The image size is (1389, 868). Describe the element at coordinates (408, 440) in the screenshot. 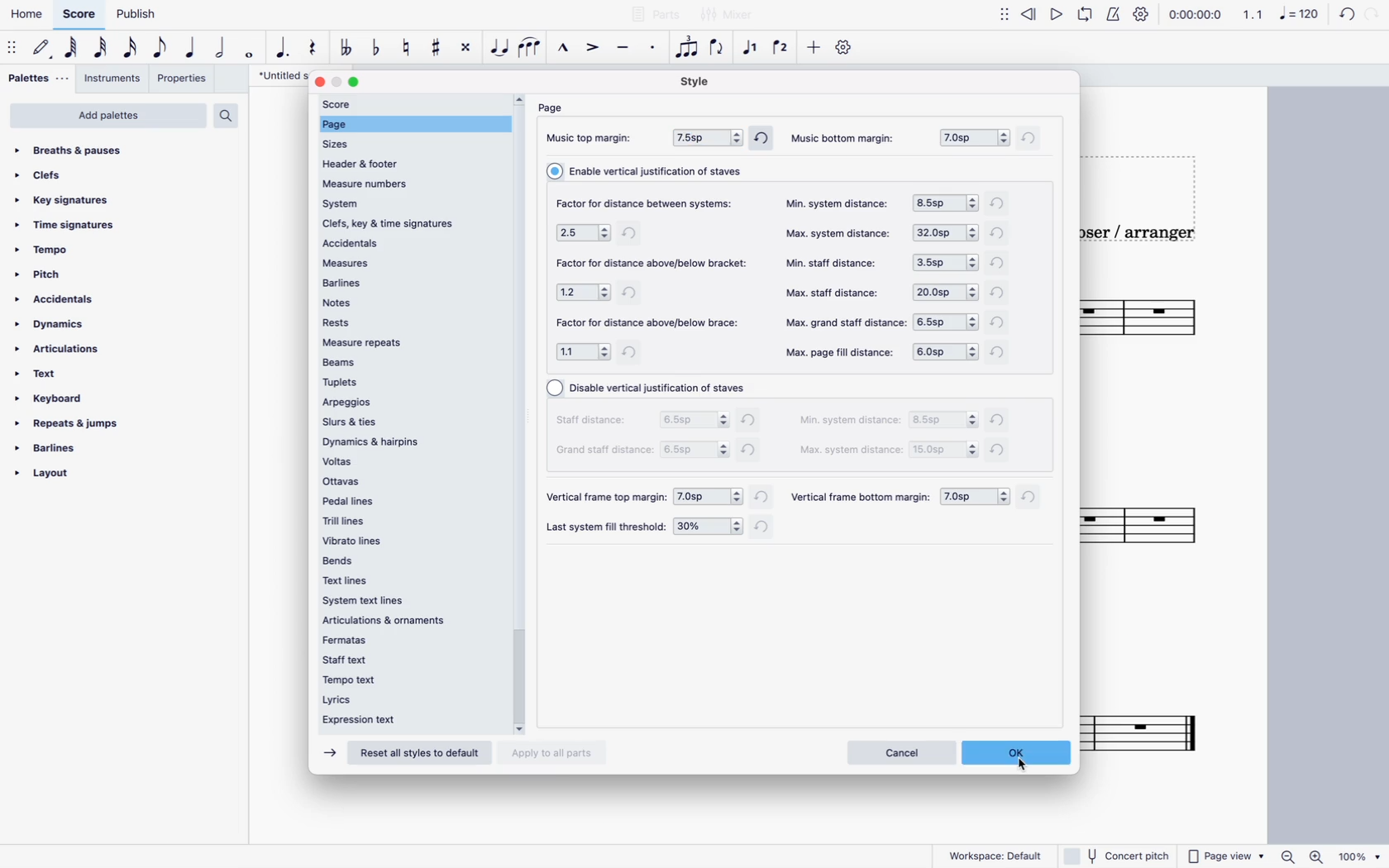

I see `dynamics & hairpins` at that location.